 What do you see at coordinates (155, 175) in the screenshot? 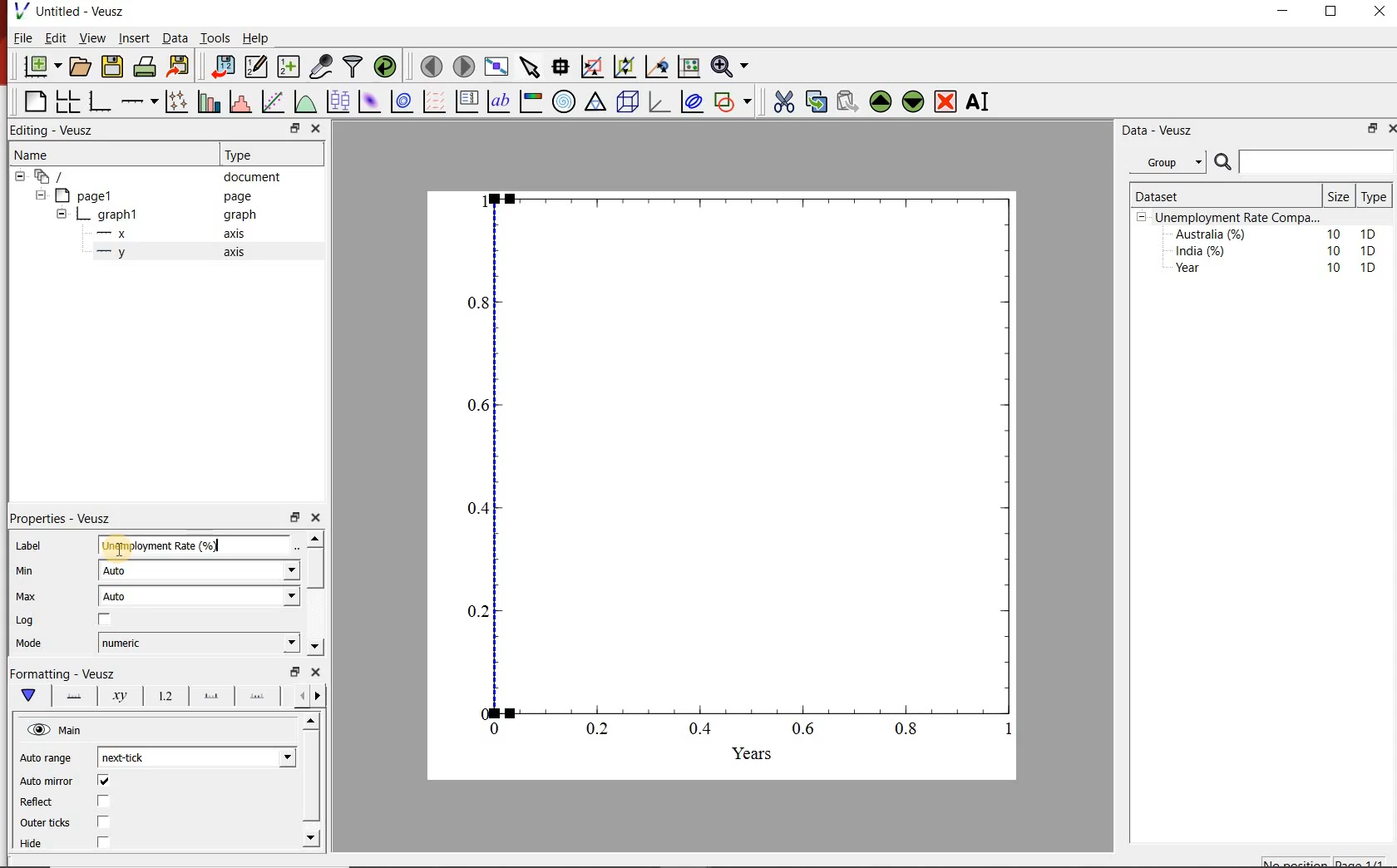
I see `‘document` at bounding box center [155, 175].